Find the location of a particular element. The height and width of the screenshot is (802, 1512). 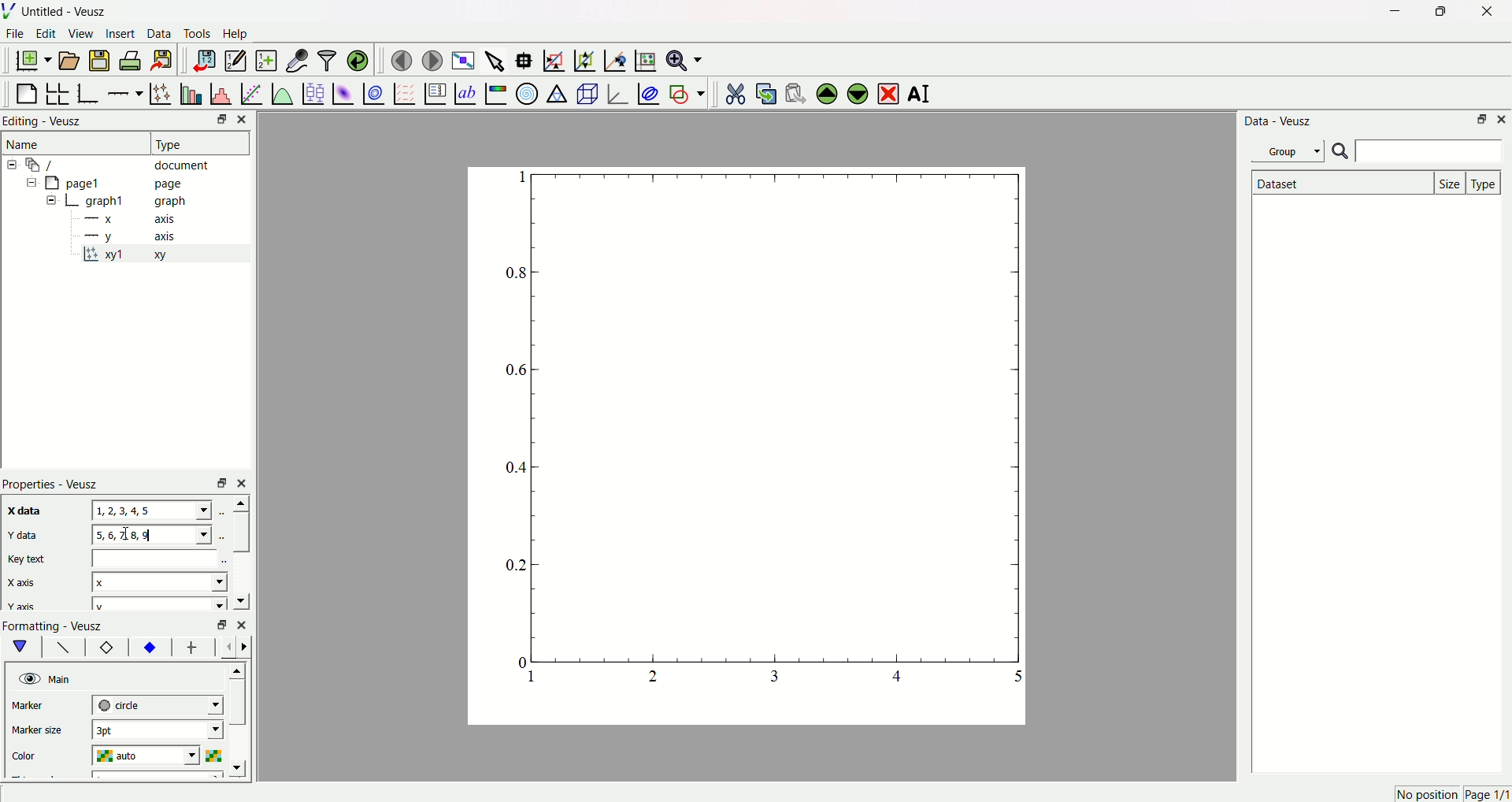

Close is located at coordinates (1503, 120).